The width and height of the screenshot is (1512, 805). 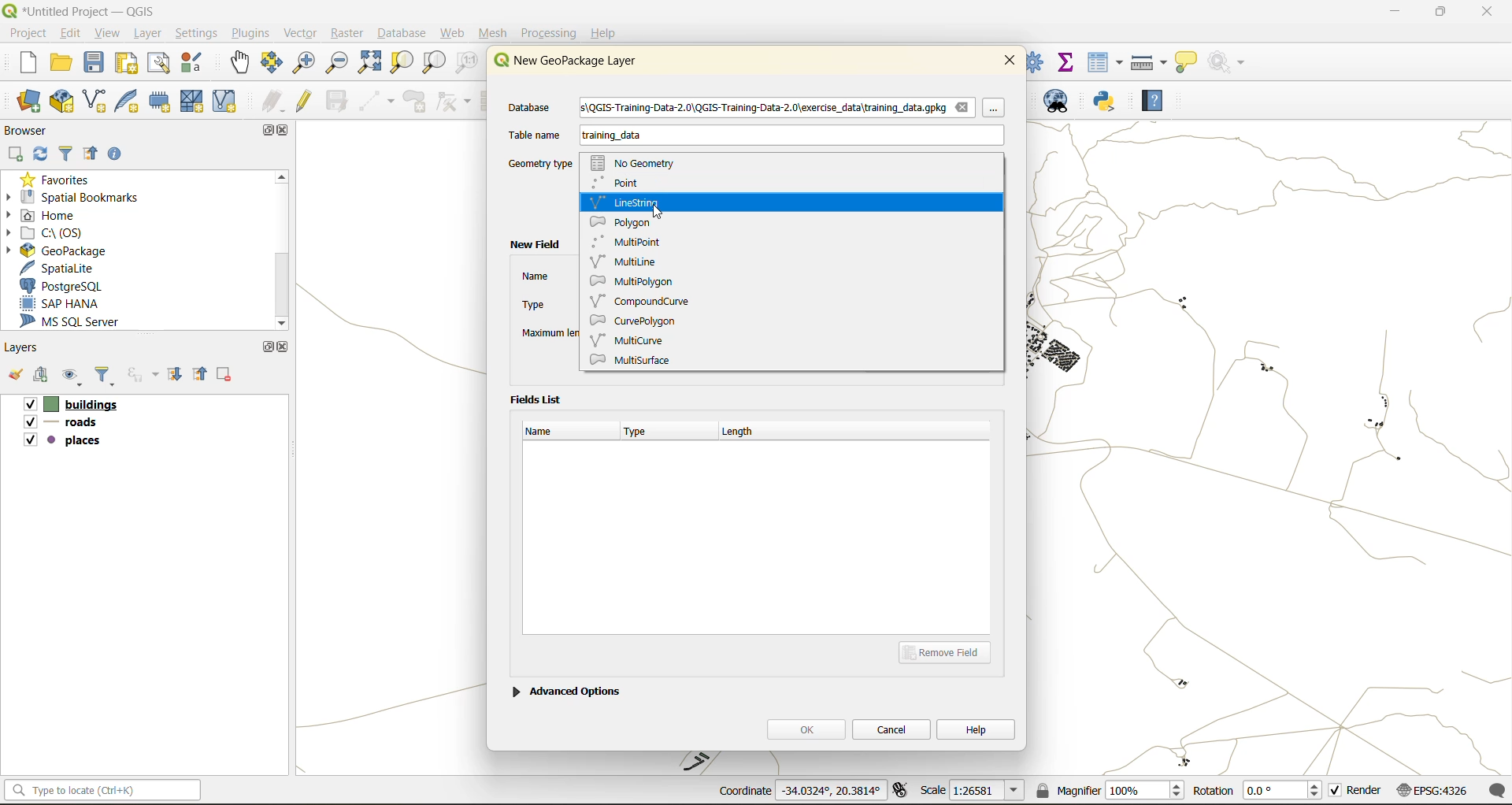 What do you see at coordinates (74, 304) in the screenshot?
I see `sap hana` at bounding box center [74, 304].